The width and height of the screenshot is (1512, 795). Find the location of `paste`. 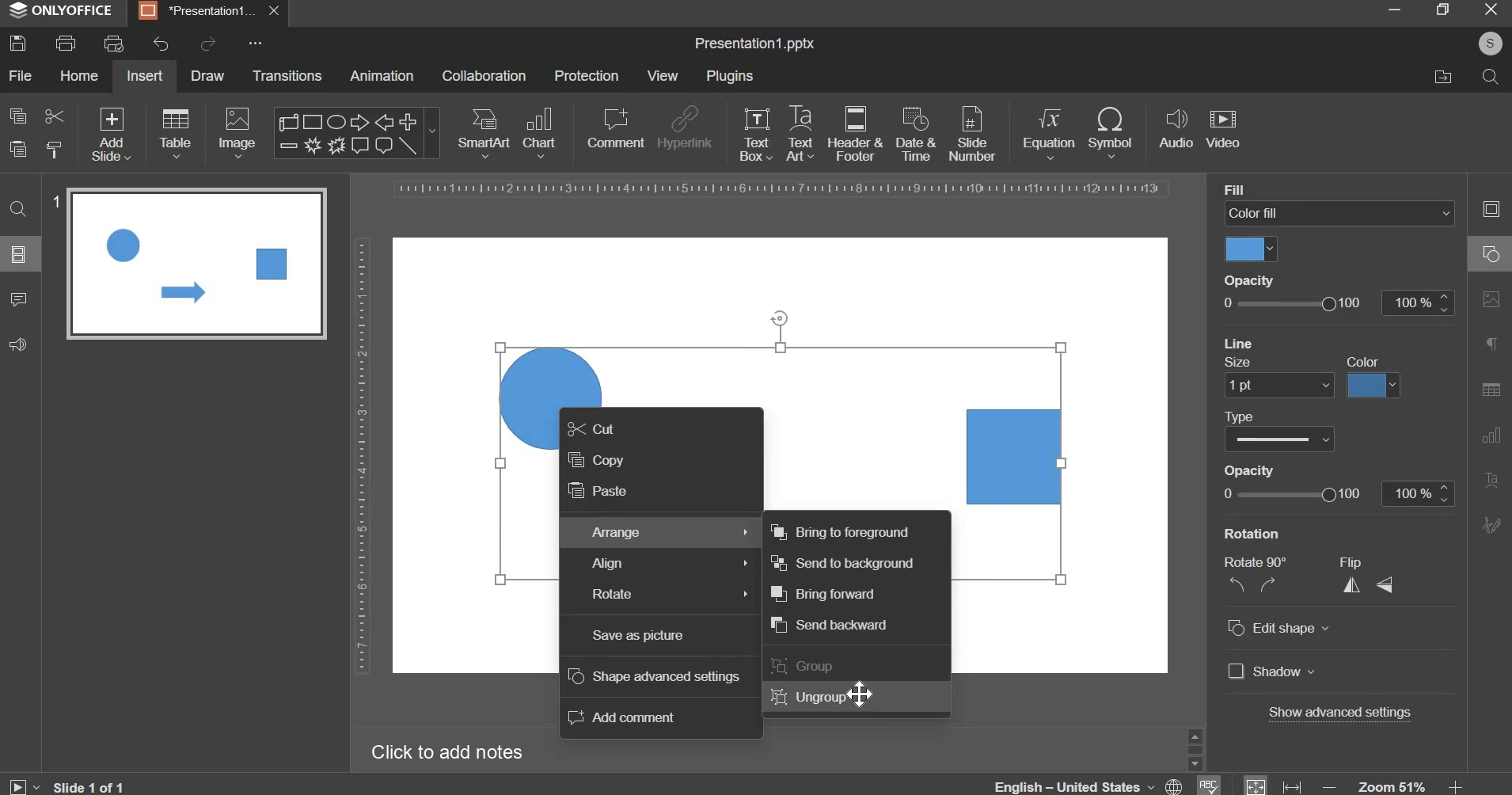

paste is located at coordinates (596, 491).